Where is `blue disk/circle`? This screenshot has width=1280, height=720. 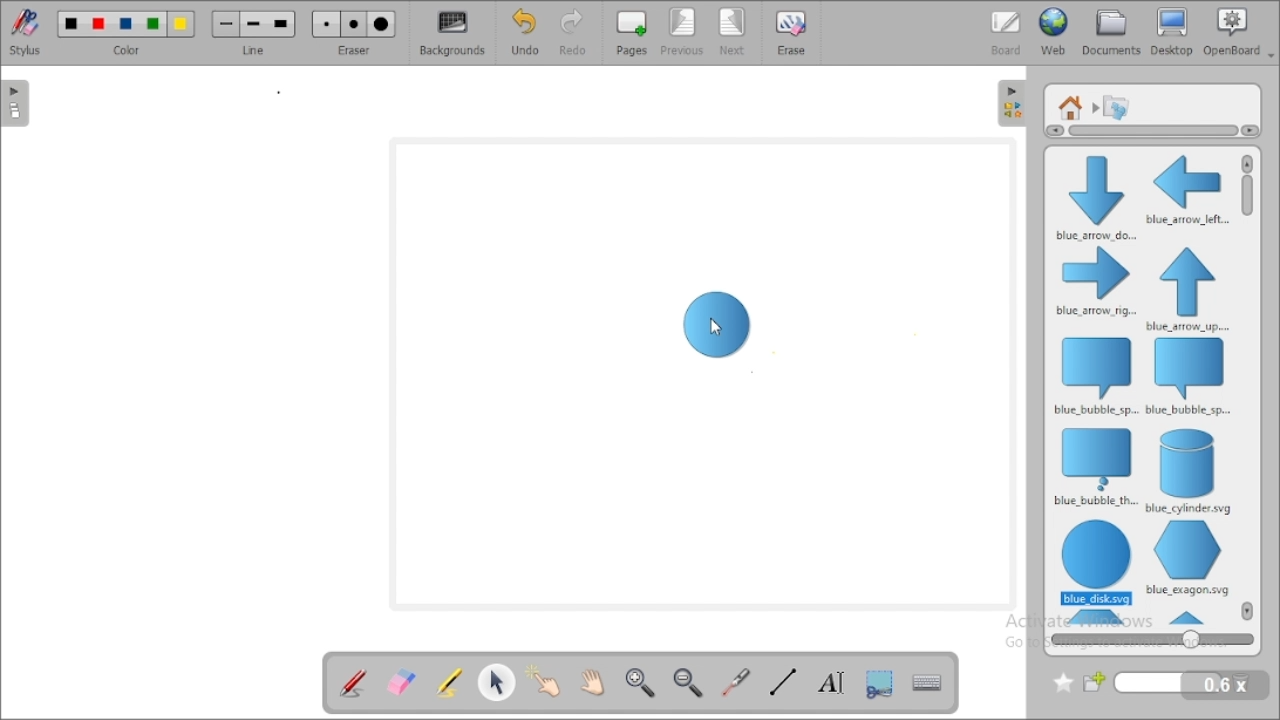
blue disk/circle is located at coordinates (1095, 563).